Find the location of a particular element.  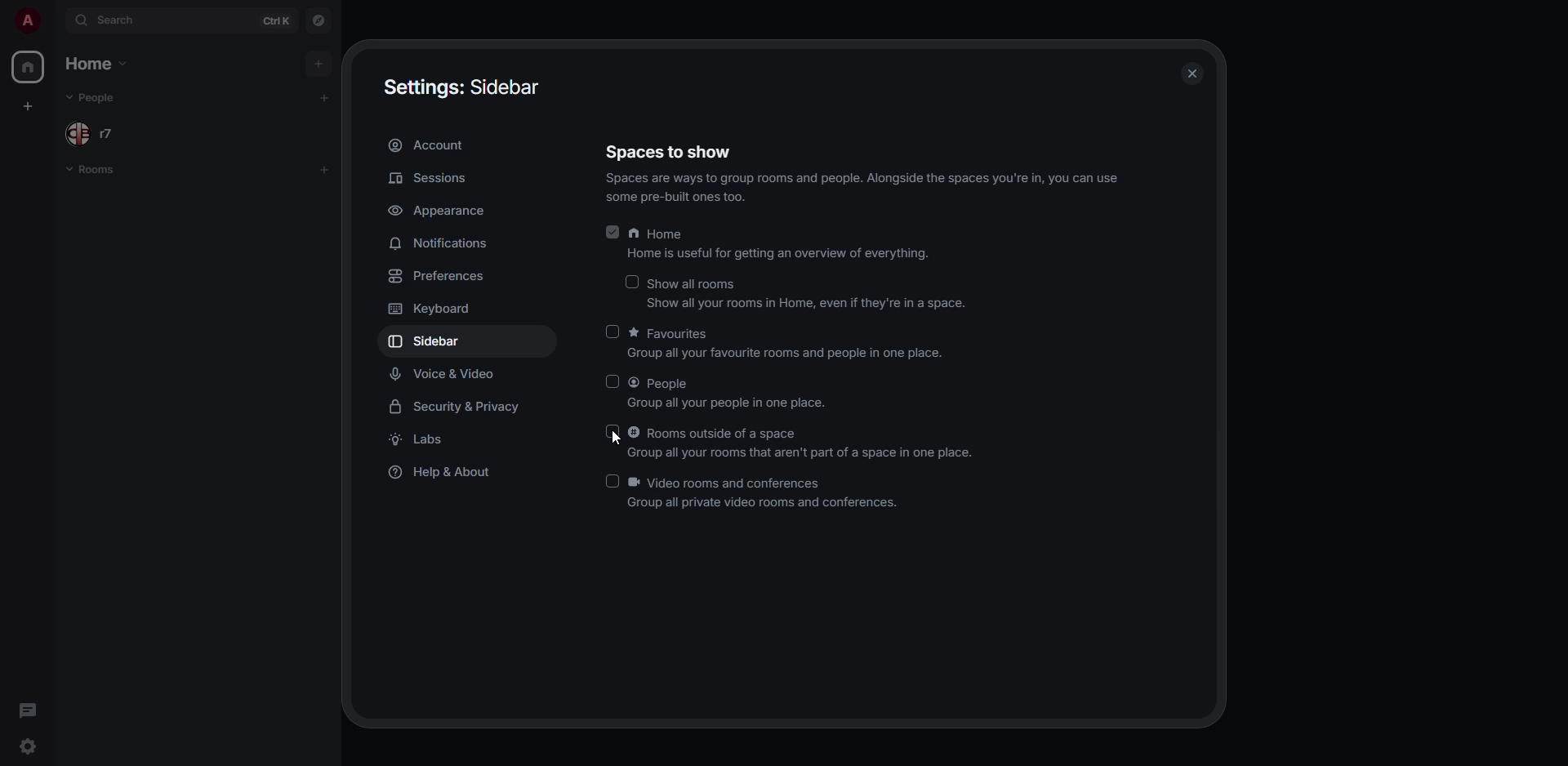

notifications is located at coordinates (441, 243).